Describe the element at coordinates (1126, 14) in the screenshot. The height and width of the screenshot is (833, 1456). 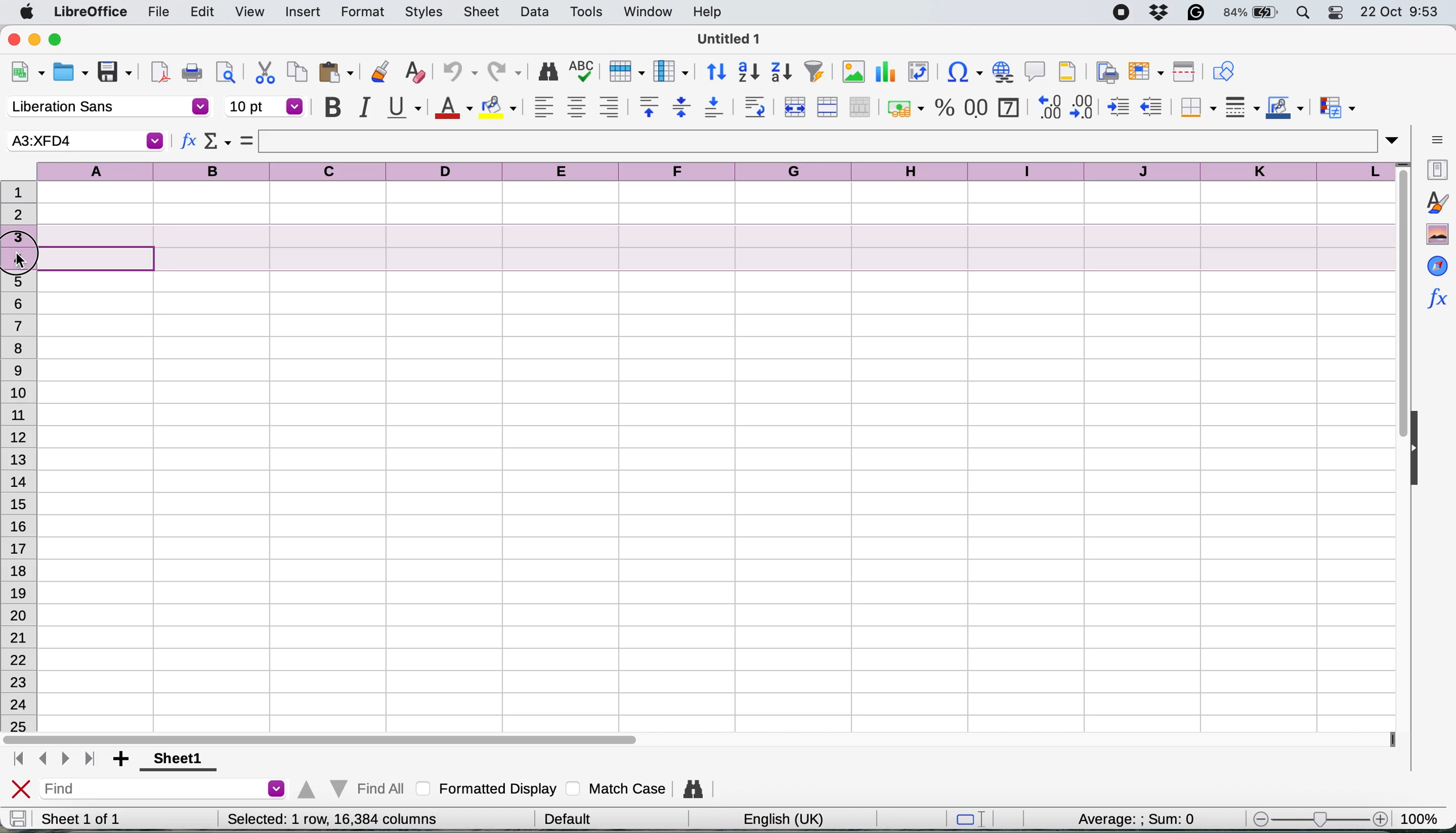
I see `screen recorder` at that location.